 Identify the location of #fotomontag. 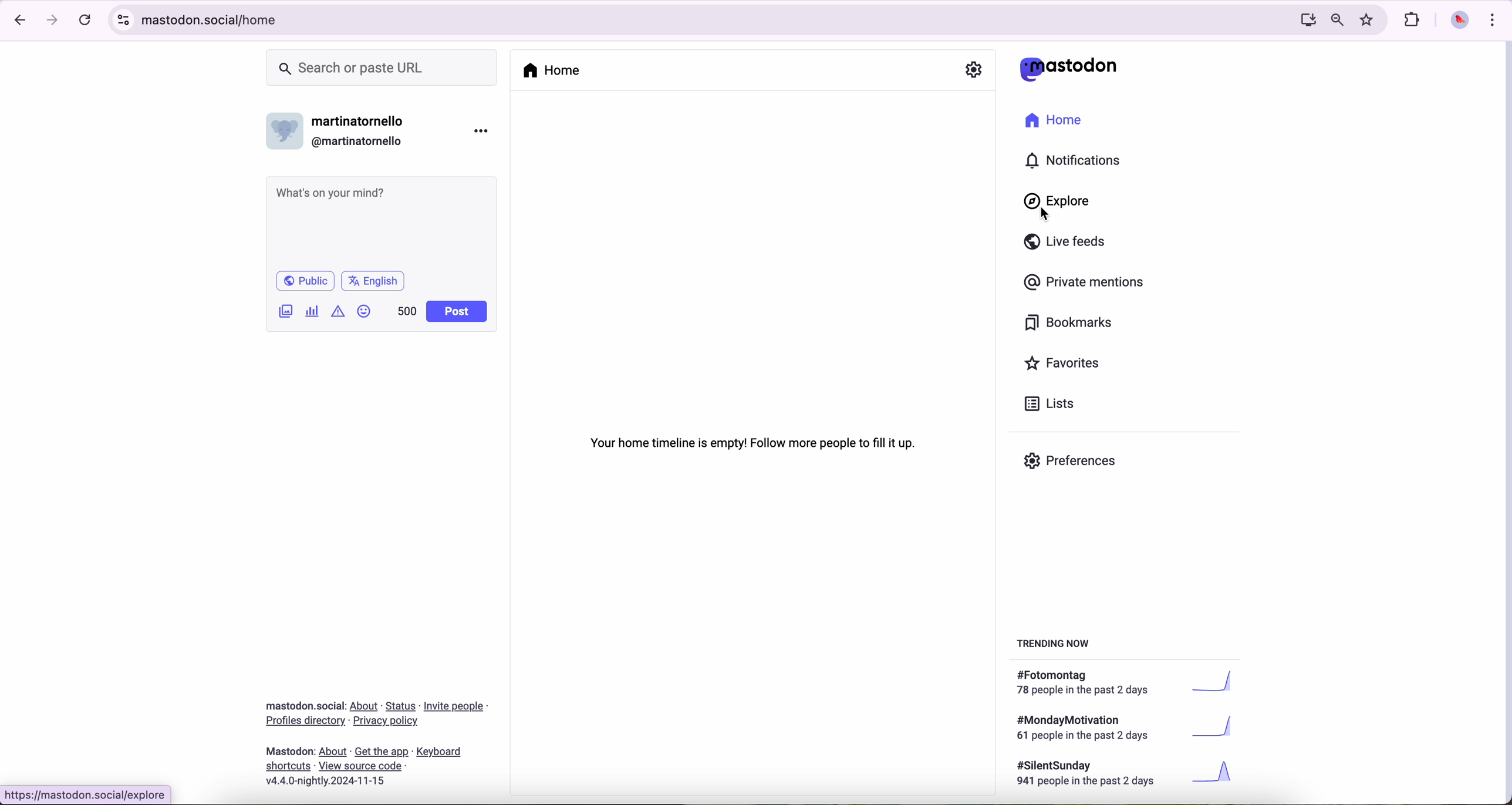
(1133, 683).